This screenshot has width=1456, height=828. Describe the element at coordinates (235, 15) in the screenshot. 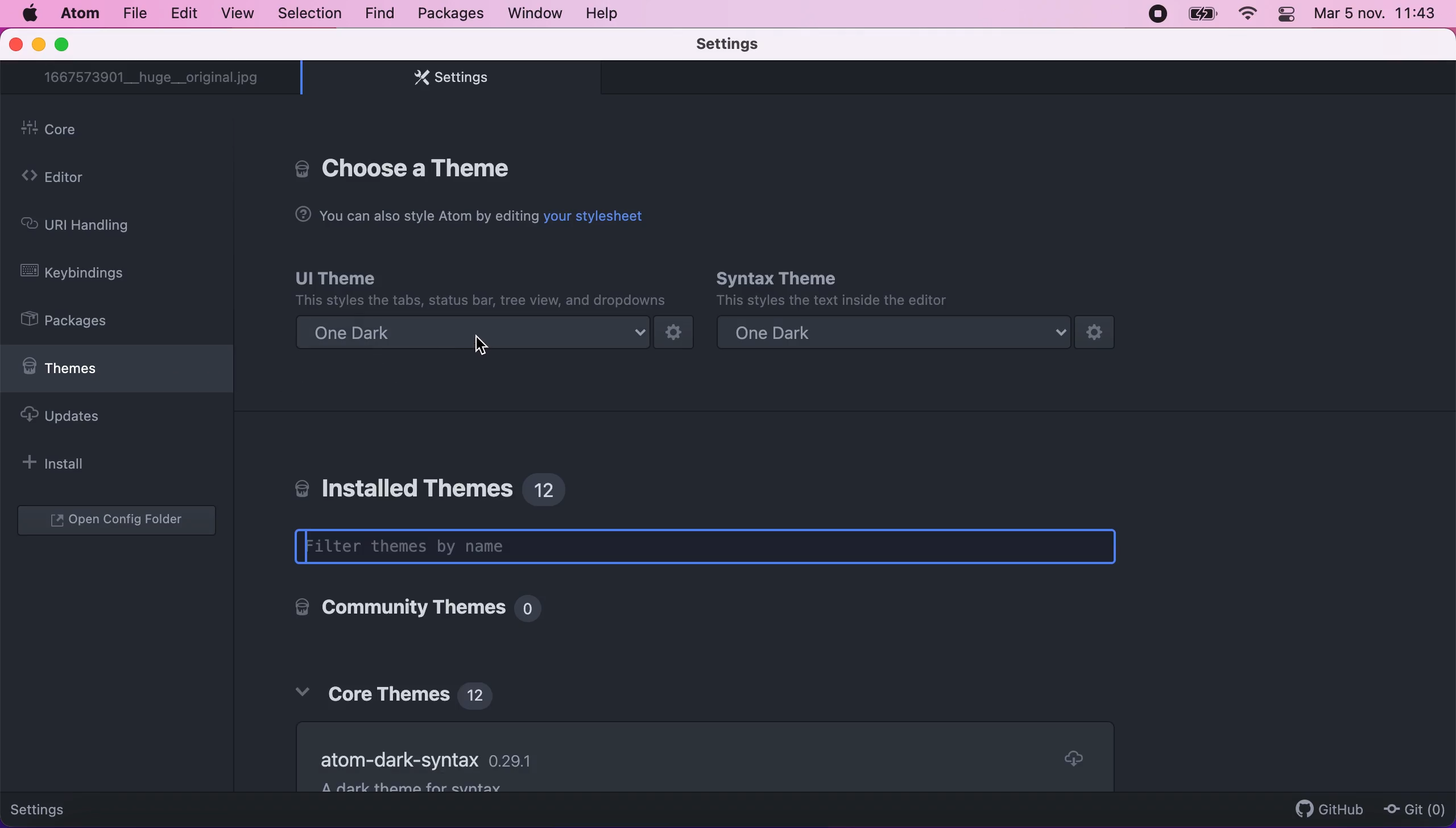

I see `view` at that location.